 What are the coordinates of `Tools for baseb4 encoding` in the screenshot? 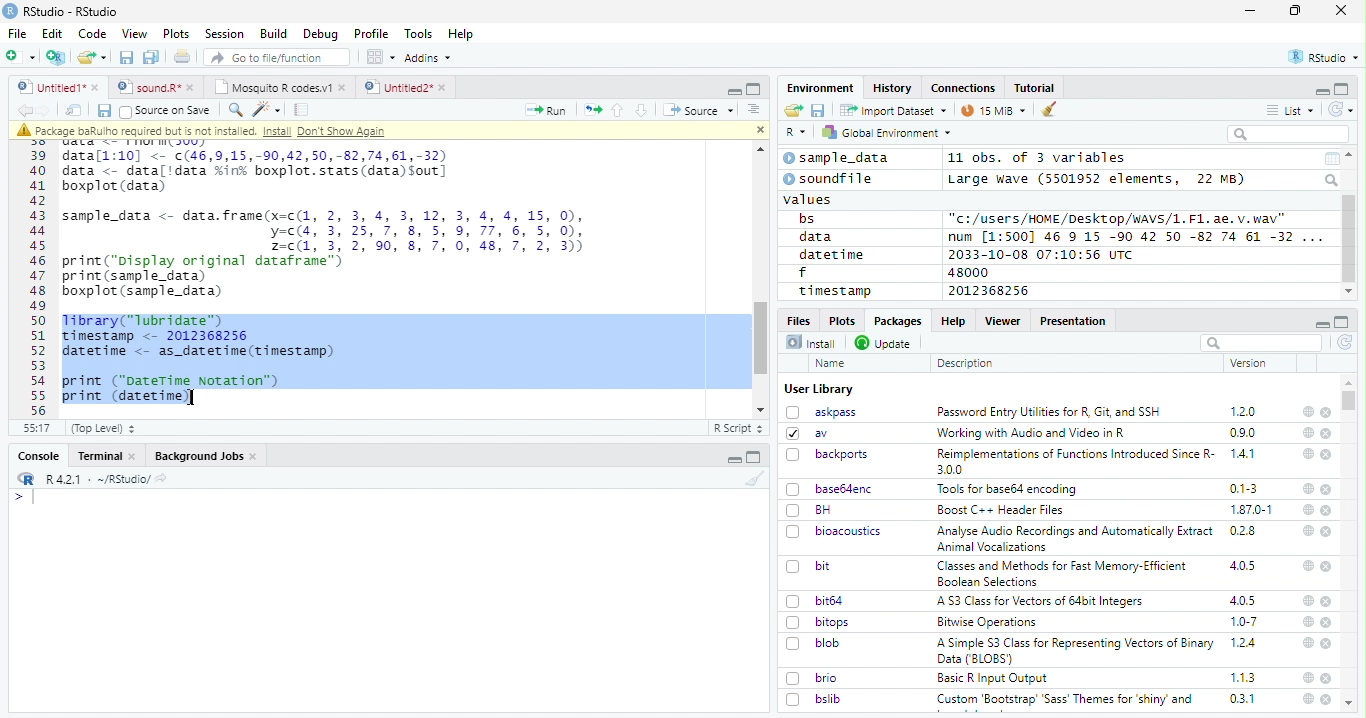 It's located at (1009, 489).